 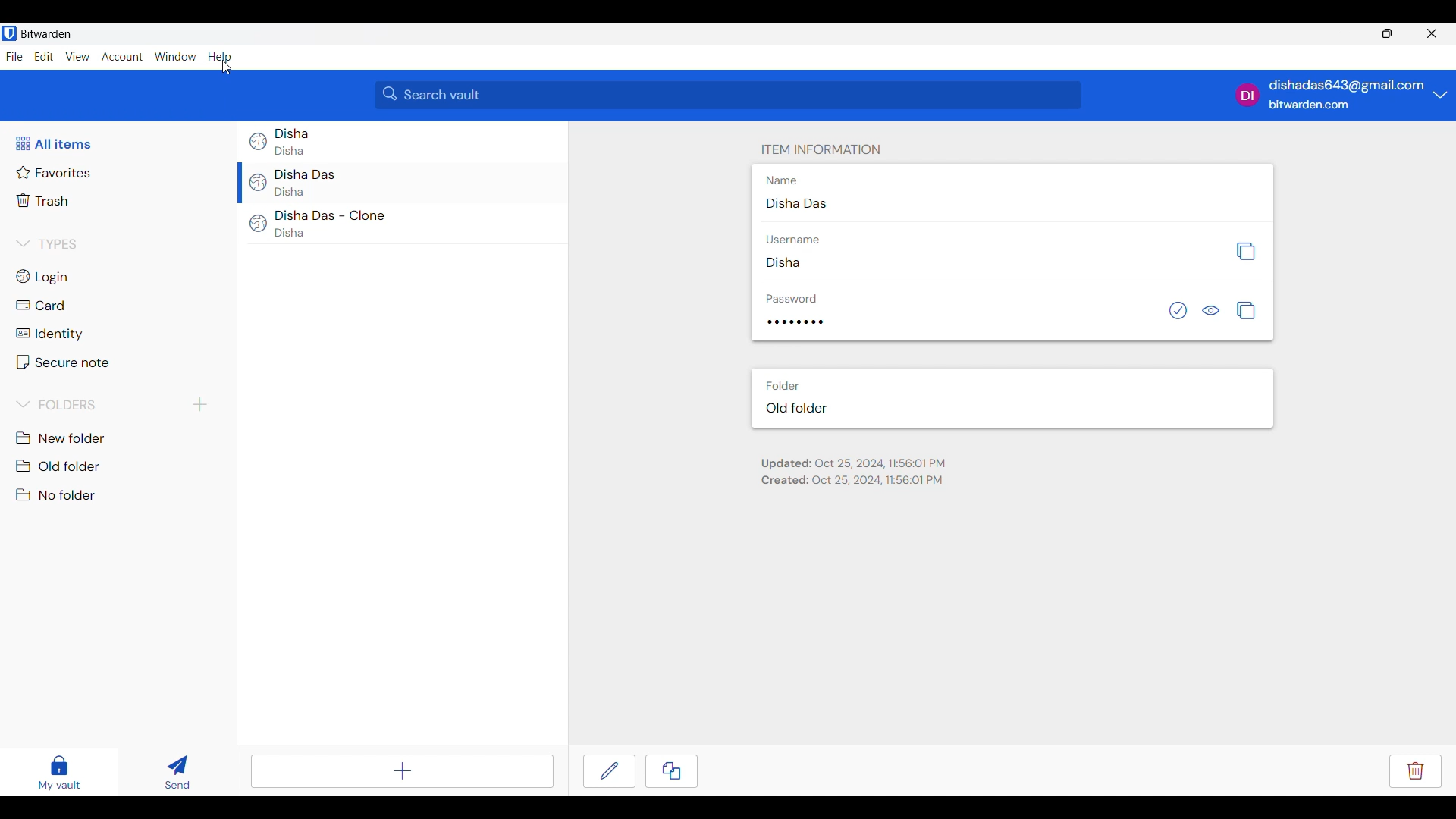 I want to click on Item logo, so click(x=258, y=224).